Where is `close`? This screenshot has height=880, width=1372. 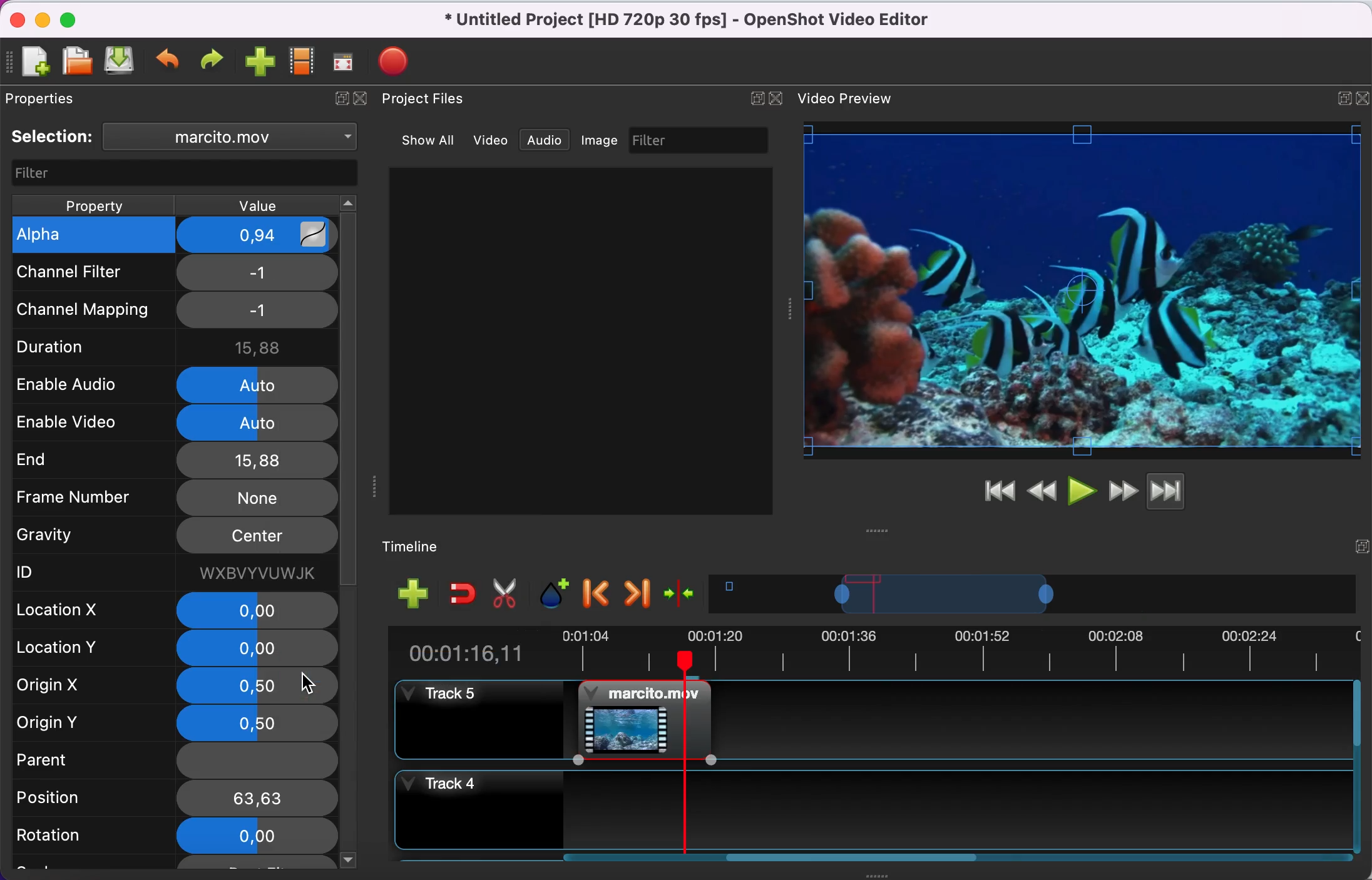 close is located at coordinates (779, 99).